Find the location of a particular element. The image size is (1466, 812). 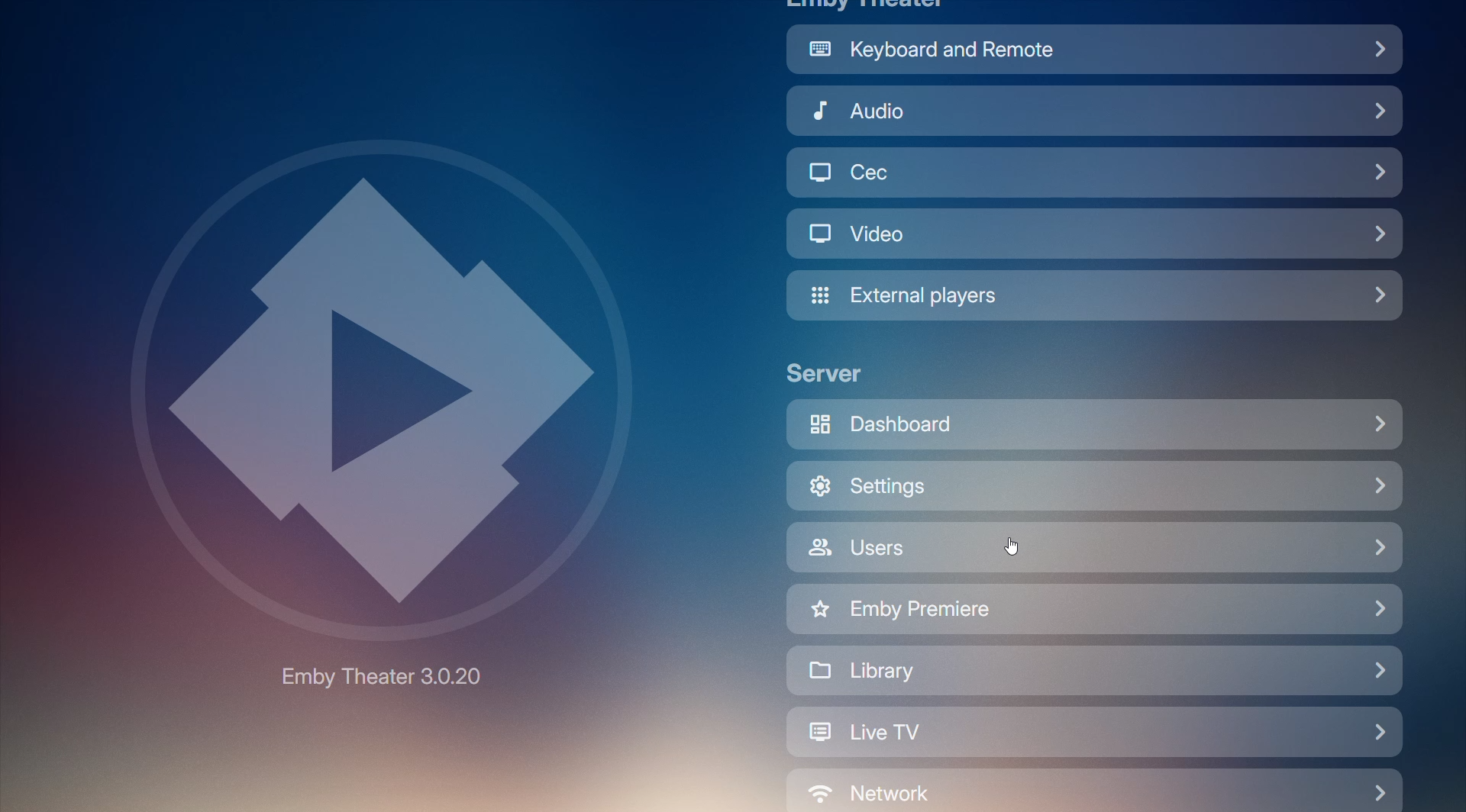

Live TV is located at coordinates (1096, 729).